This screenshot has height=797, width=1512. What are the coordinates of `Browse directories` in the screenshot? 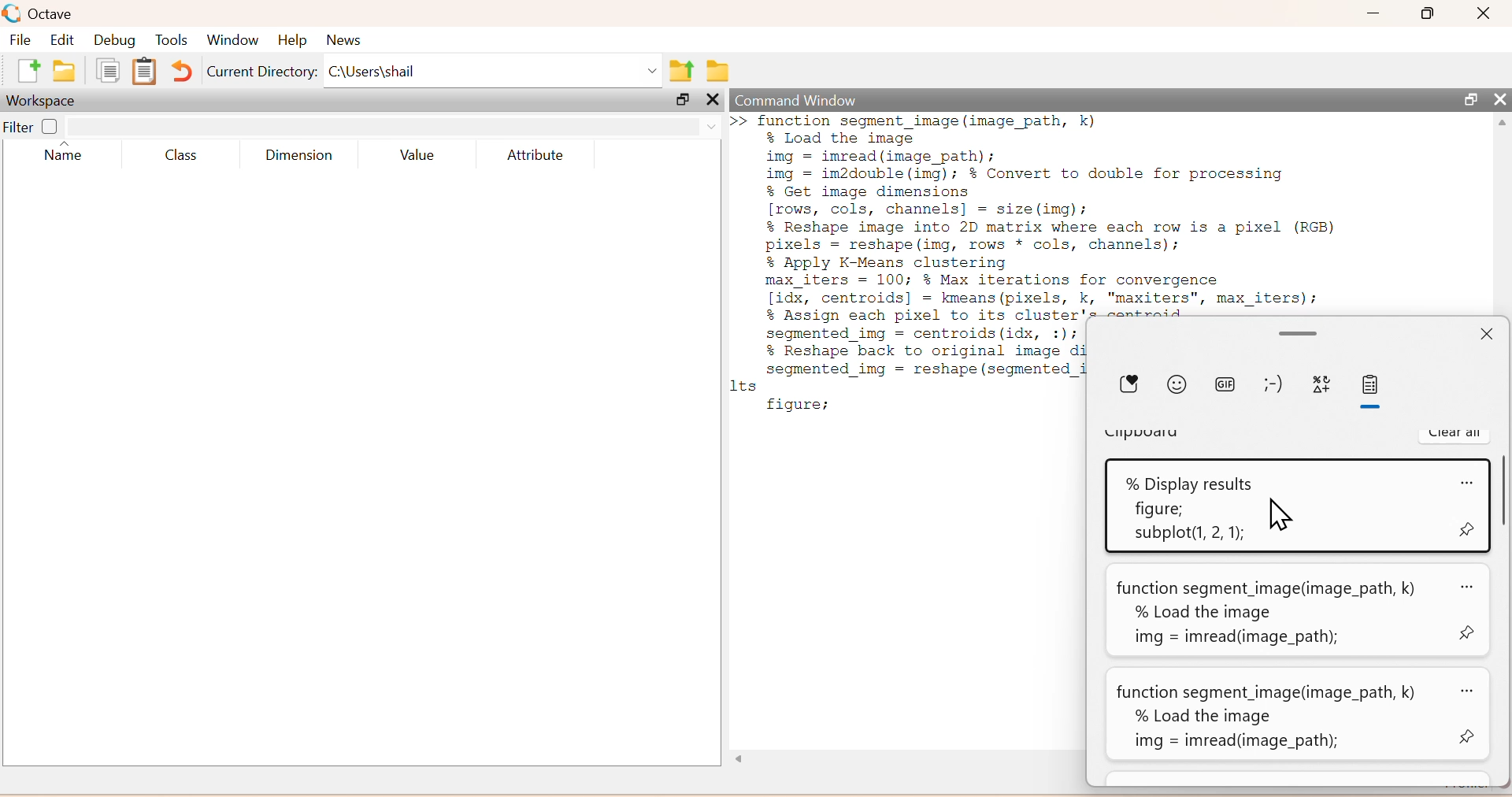 It's located at (717, 72).